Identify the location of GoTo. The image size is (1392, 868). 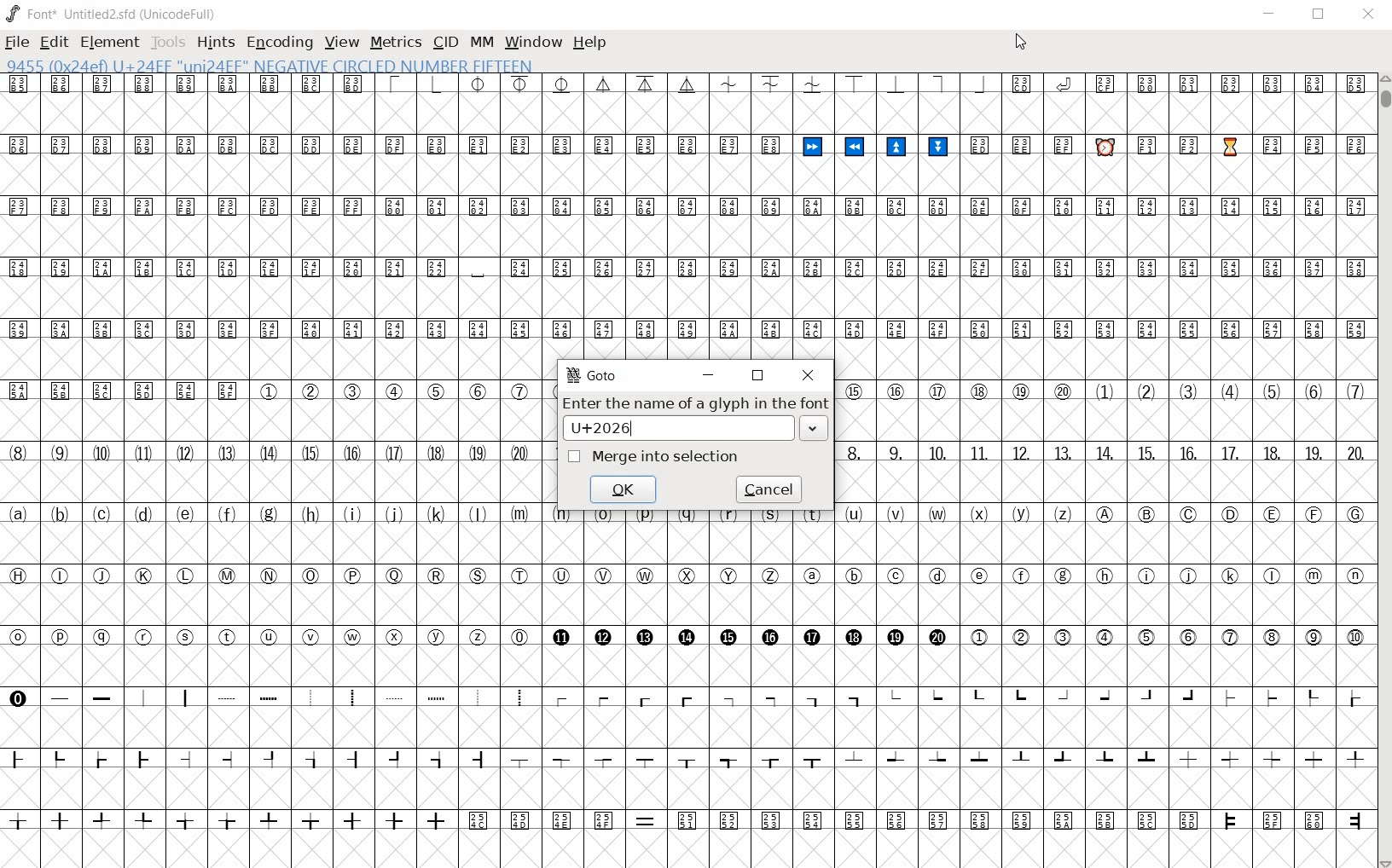
(589, 376).